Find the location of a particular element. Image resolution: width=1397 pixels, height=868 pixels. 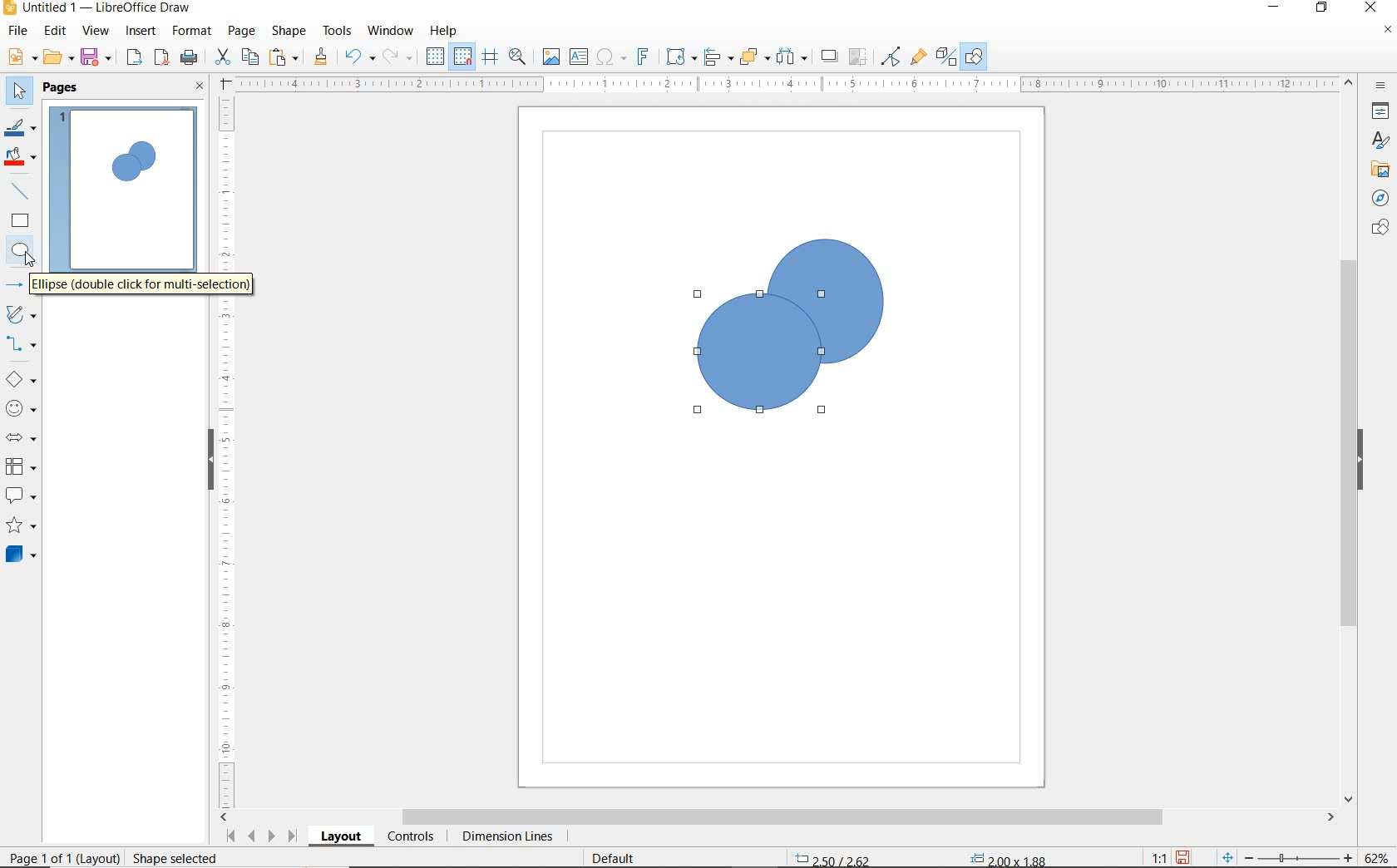

EDIT is located at coordinates (56, 31).